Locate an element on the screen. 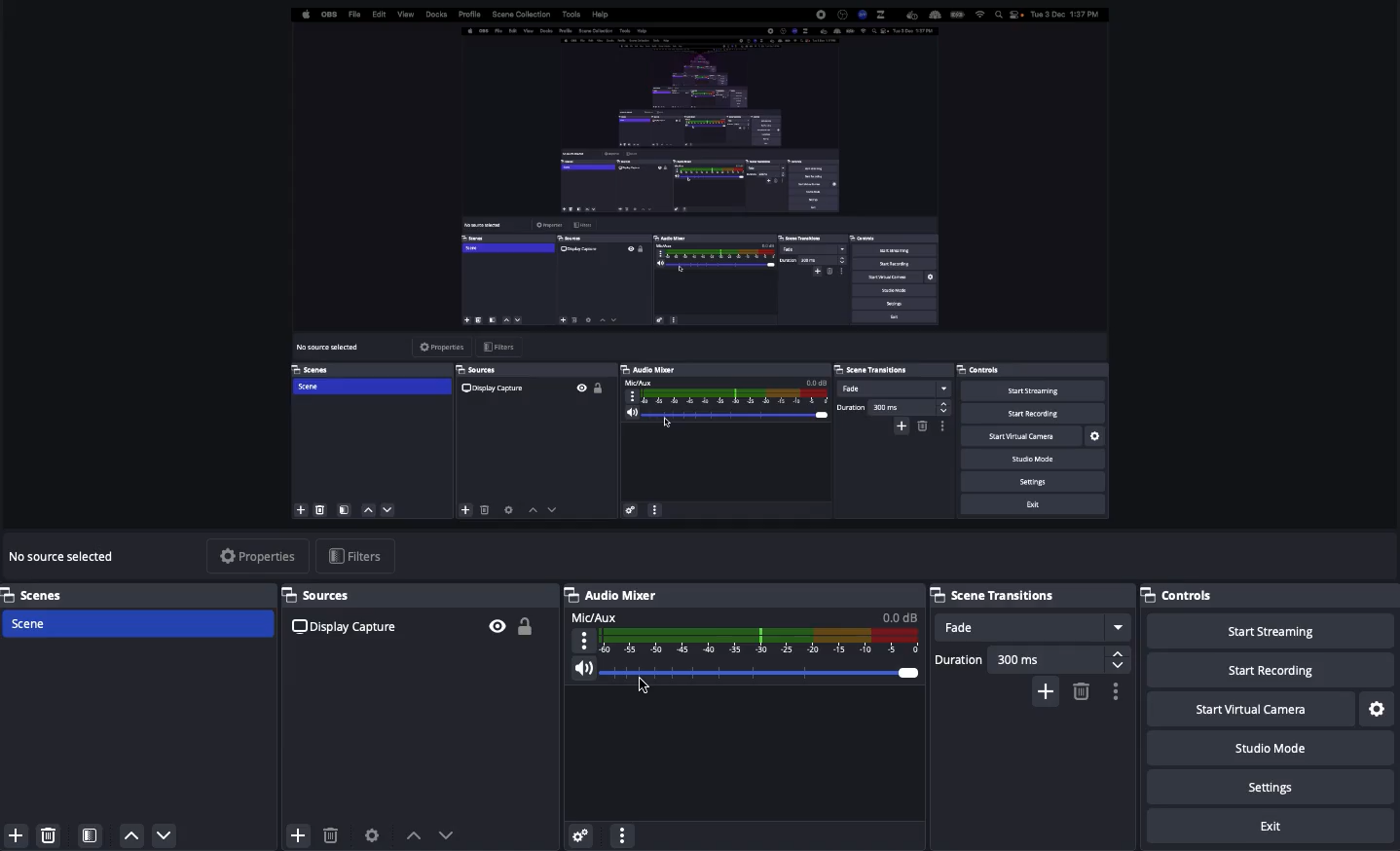 The image size is (1400, 851). Source preferences  is located at coordinates (374, 833).